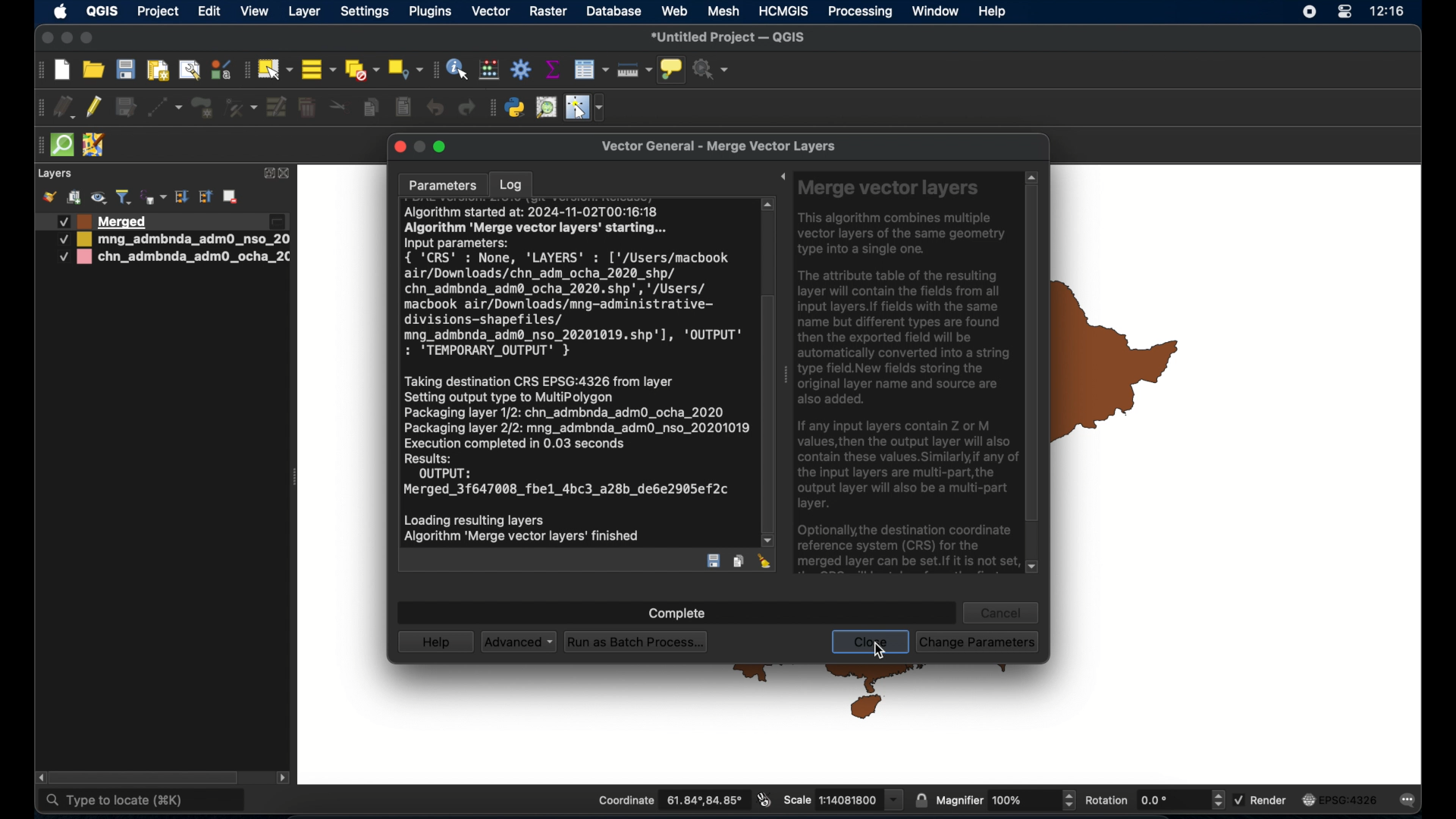  Describe the element at coordinates (95, 108) in the screenshot. I see `toggle editing` at that location.